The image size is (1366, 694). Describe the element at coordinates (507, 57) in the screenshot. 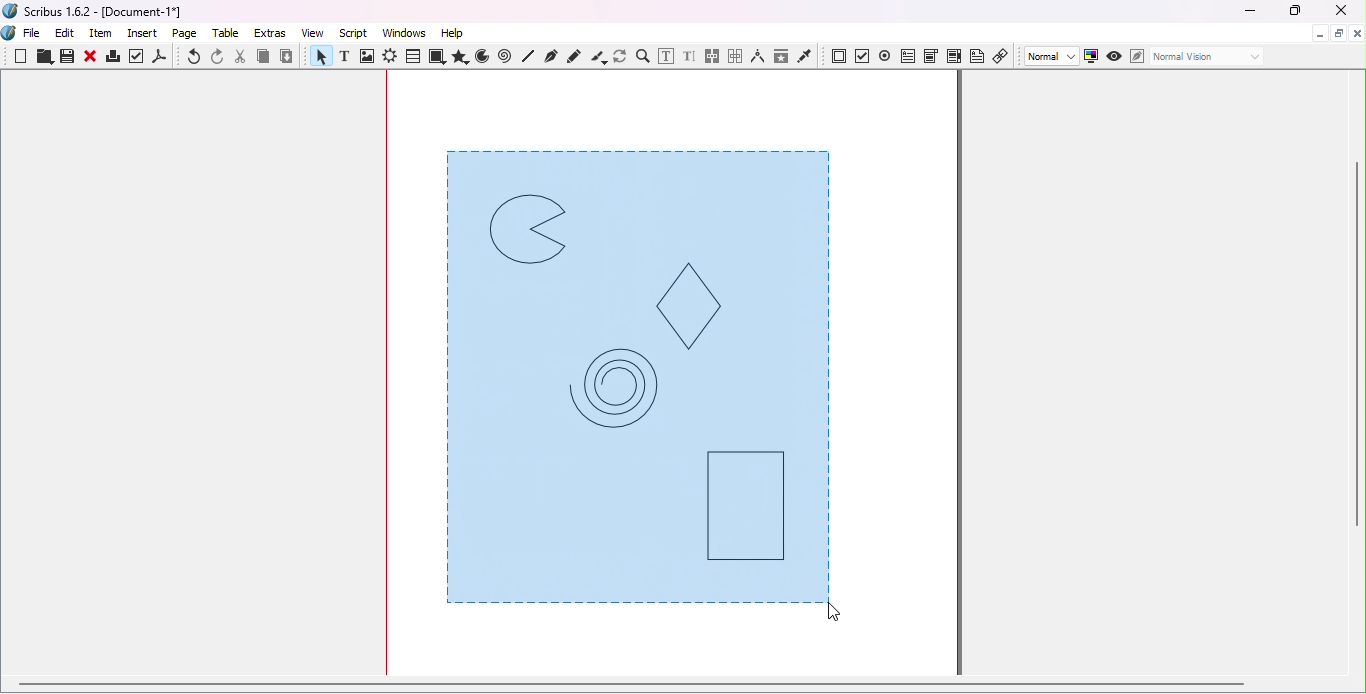

I see `Spiral` at that location.